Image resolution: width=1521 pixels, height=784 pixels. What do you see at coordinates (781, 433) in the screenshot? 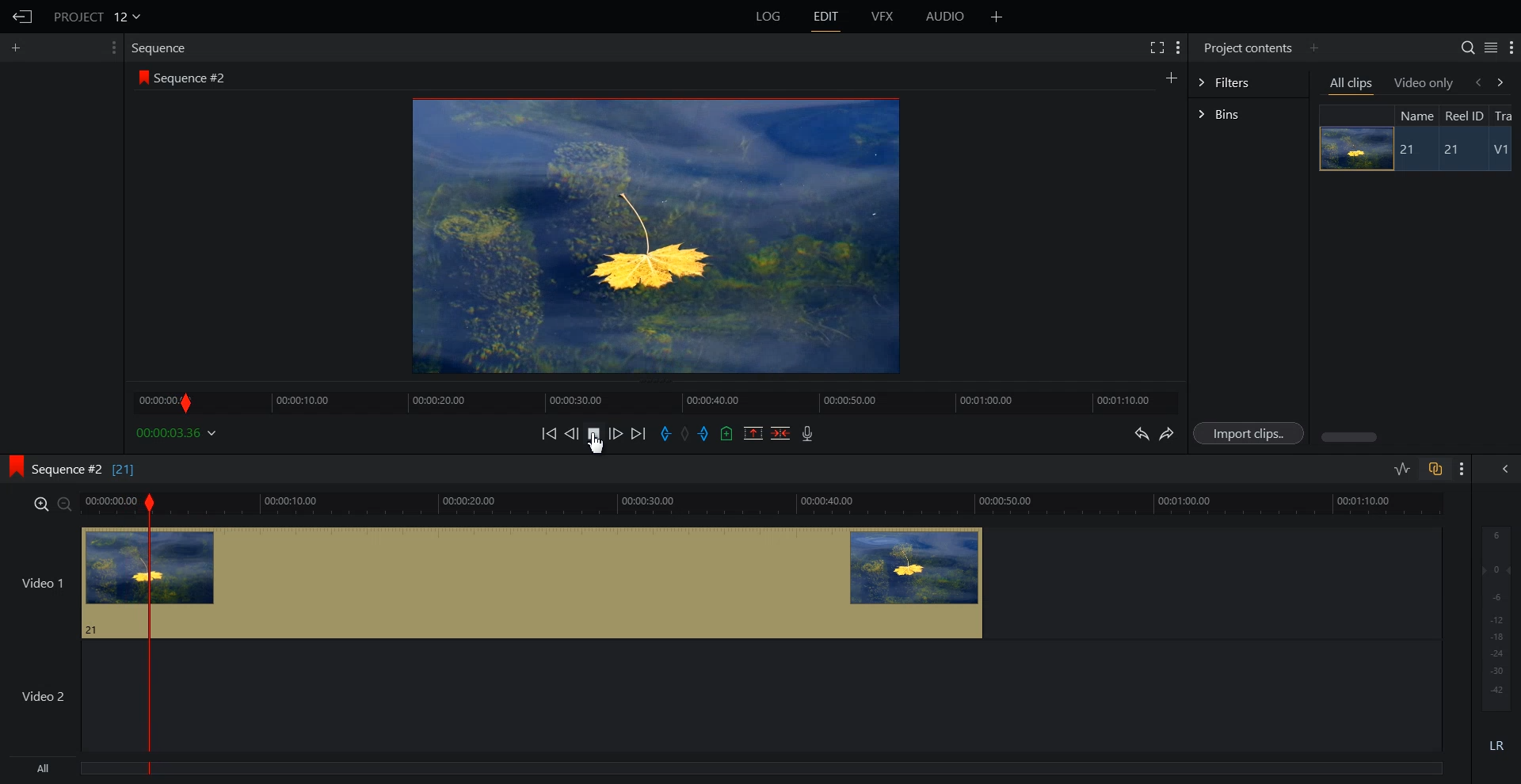
I see `Delete` at bounding box center [781, 433].